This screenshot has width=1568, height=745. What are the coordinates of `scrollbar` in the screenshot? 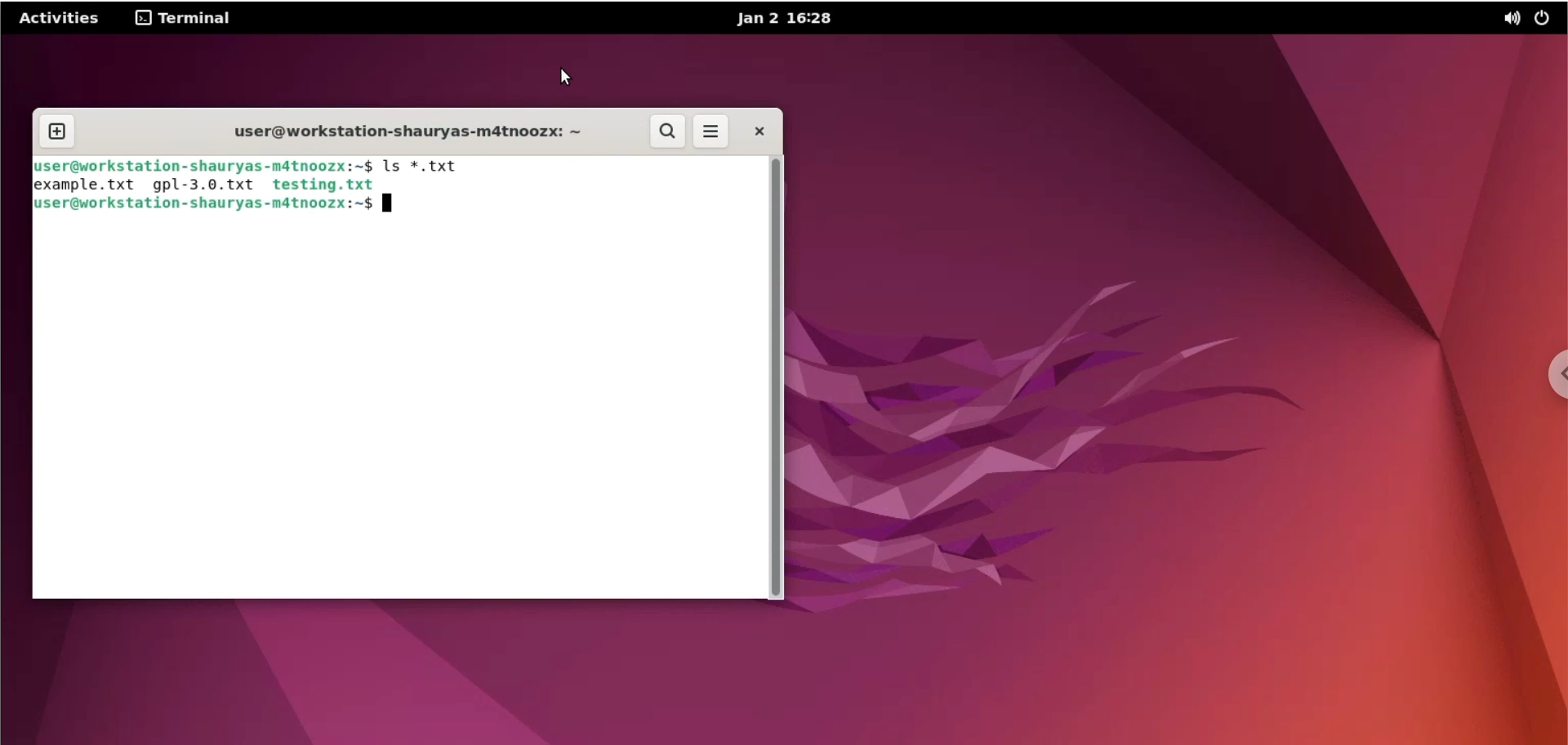 It's located at (777, 379).